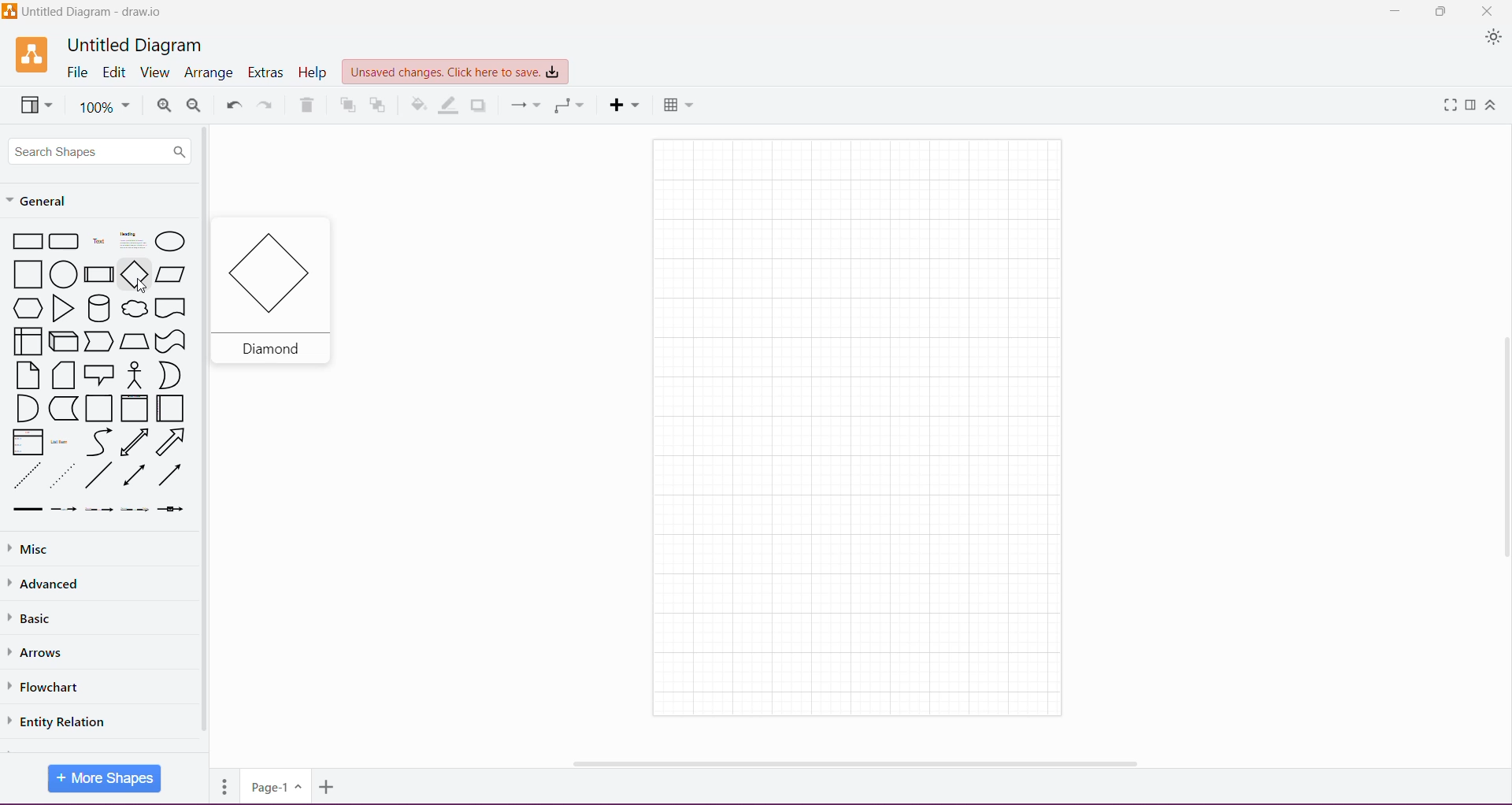  I want to click on Restore Down, so click(1441, 13).